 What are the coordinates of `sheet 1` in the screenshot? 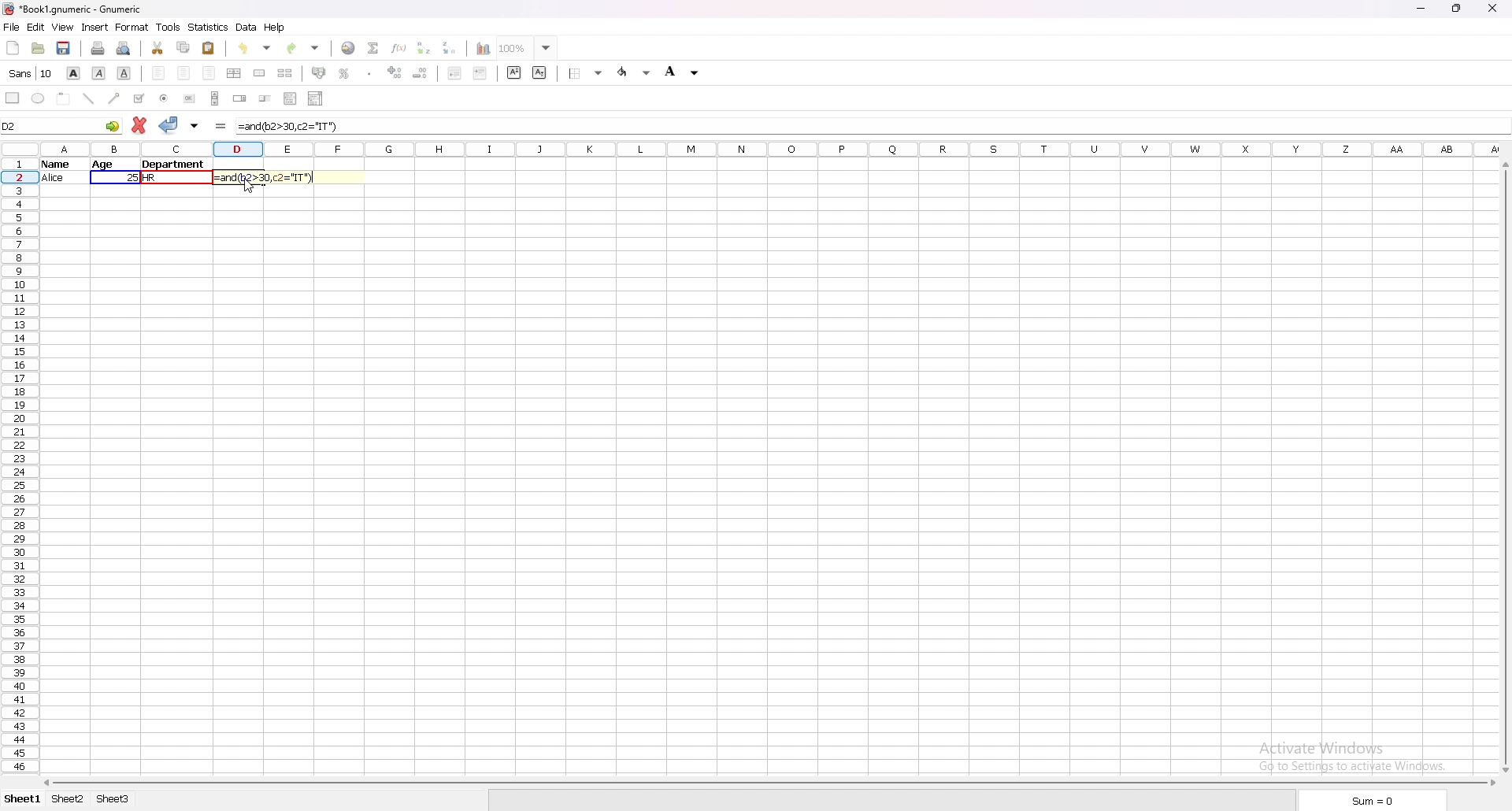 It's located at (22, 799).